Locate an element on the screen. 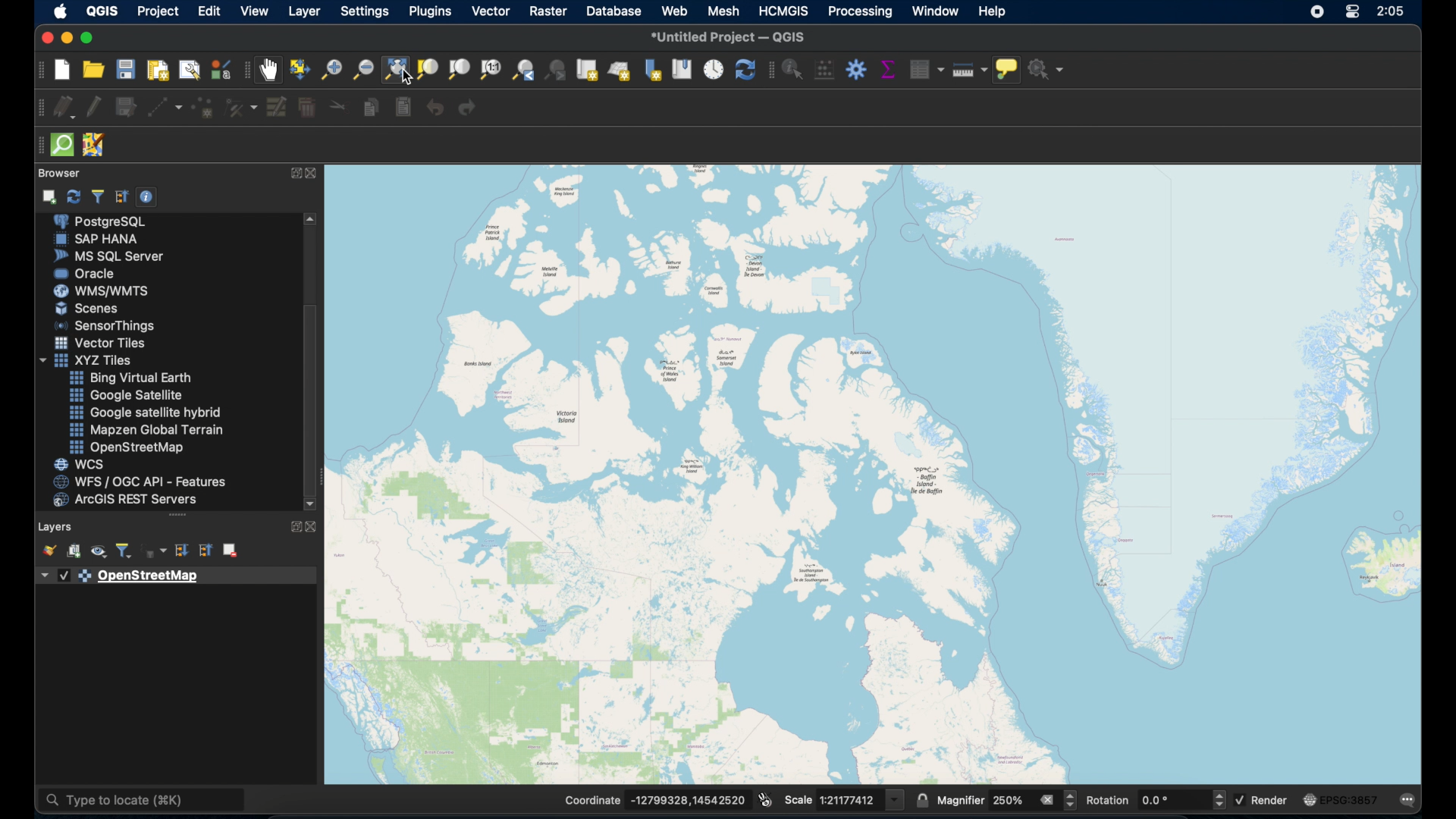 This screenshot has width=1456, height=819. collapse all is located at coordinates (119, 197).